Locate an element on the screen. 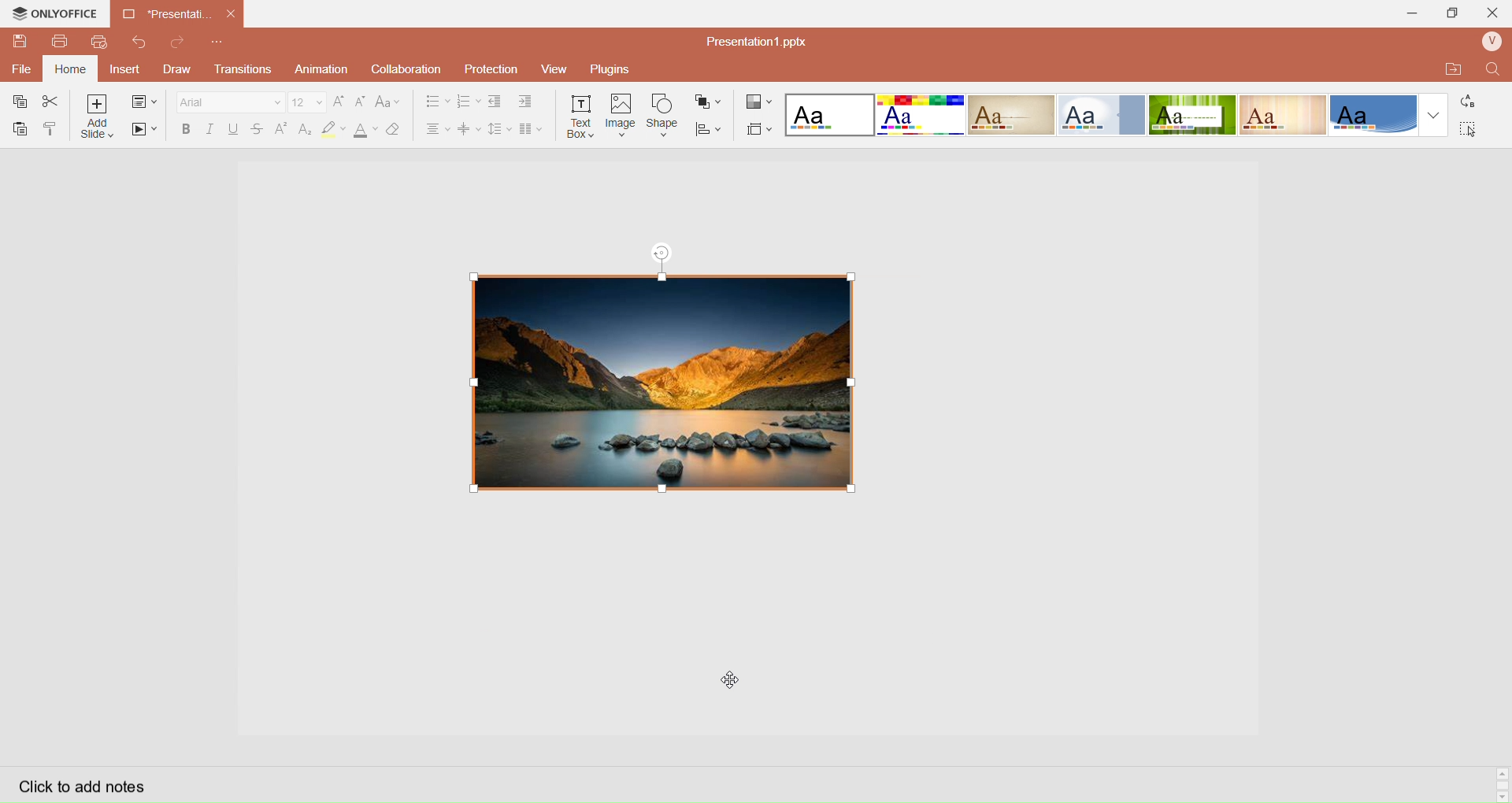 The width and height of the screenshot is (1512, 803). Extend is located at coordinates (1460, 12).